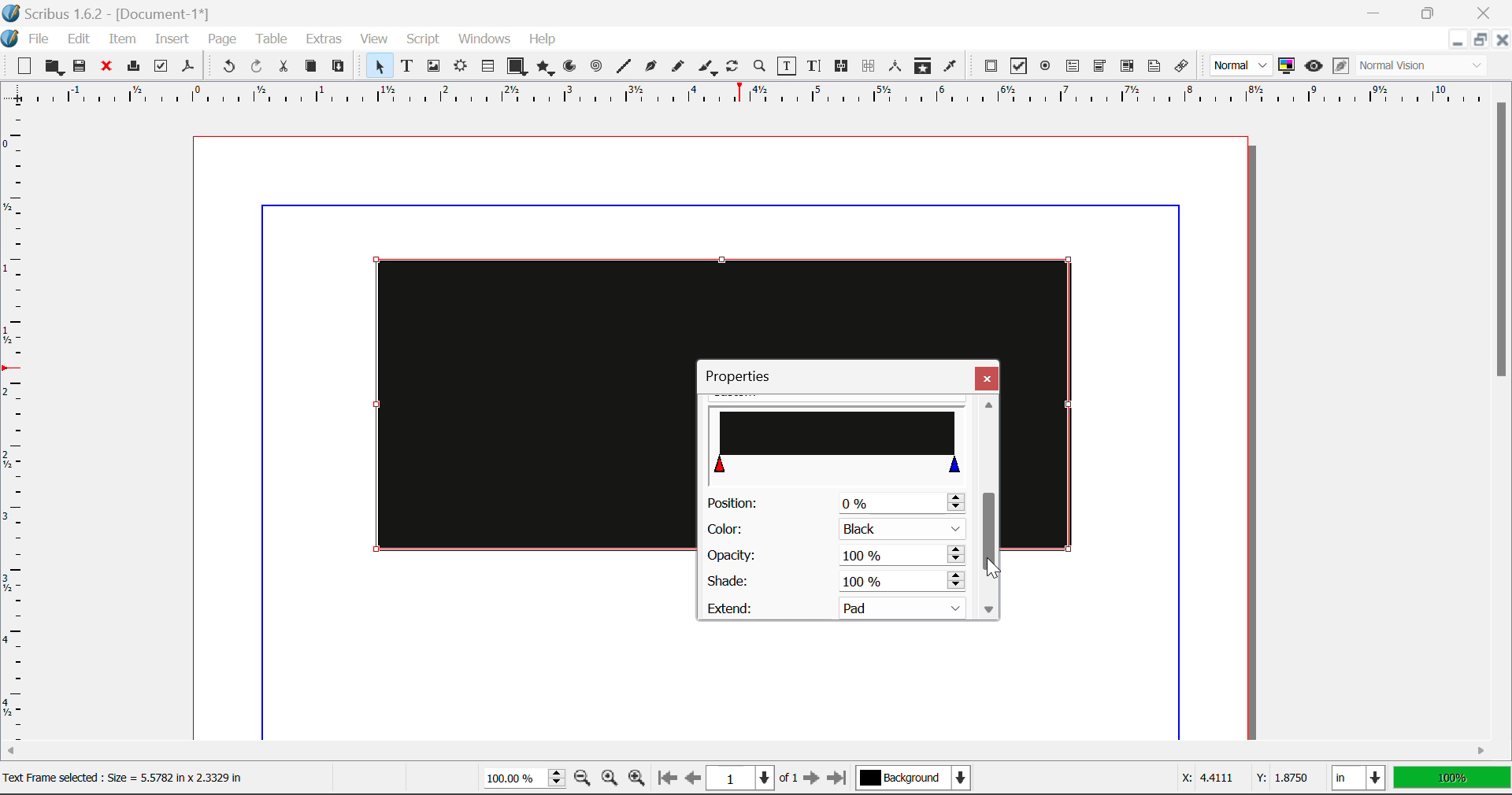 This screenshot has width=1512, height=795. What do you see at coordinates (844, 66) in the screenshot?
I see `Link Frames` at bounding box center [844, 66].